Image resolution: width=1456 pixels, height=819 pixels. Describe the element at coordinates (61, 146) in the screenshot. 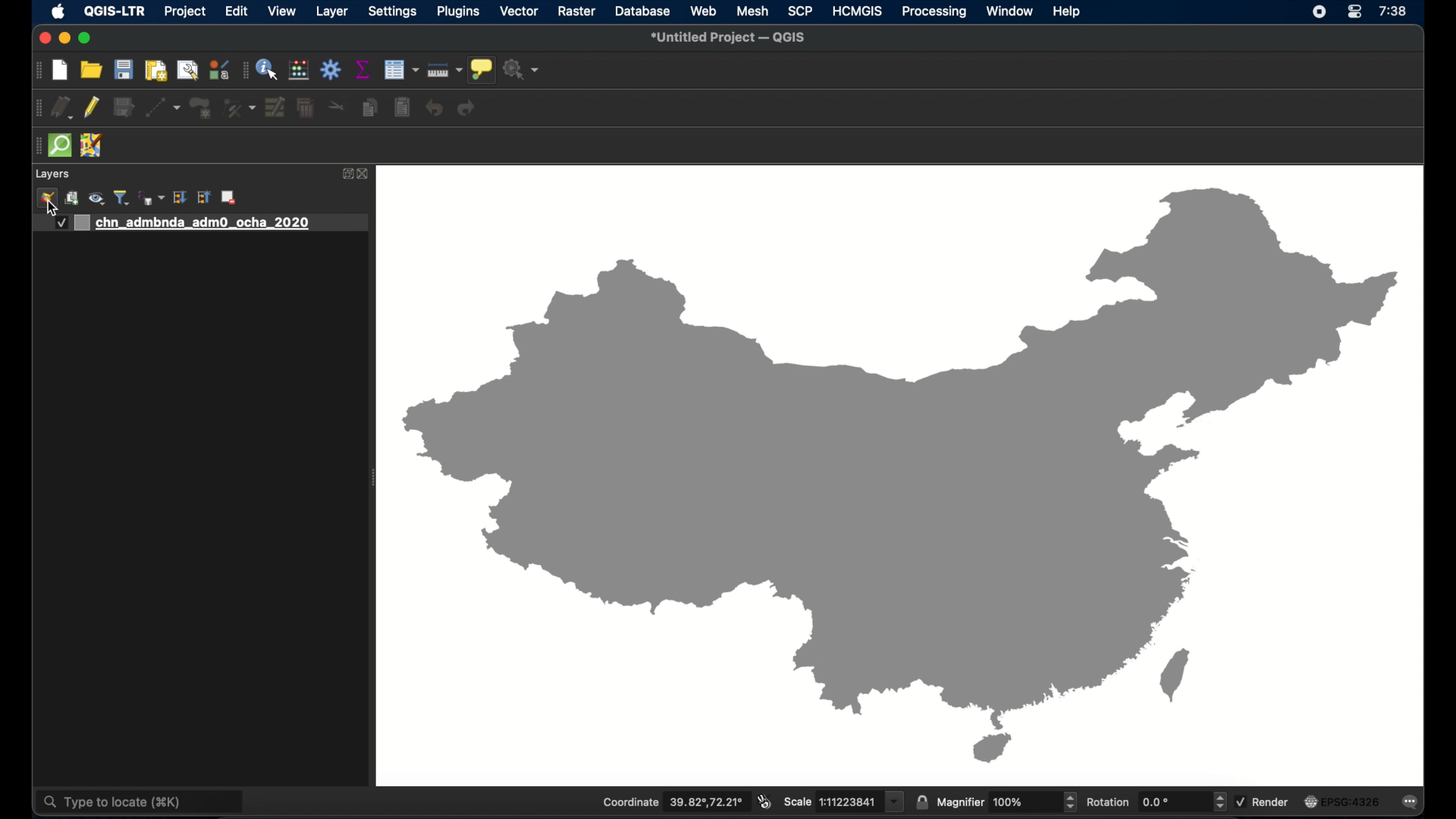

I see `quick osm` at that location.